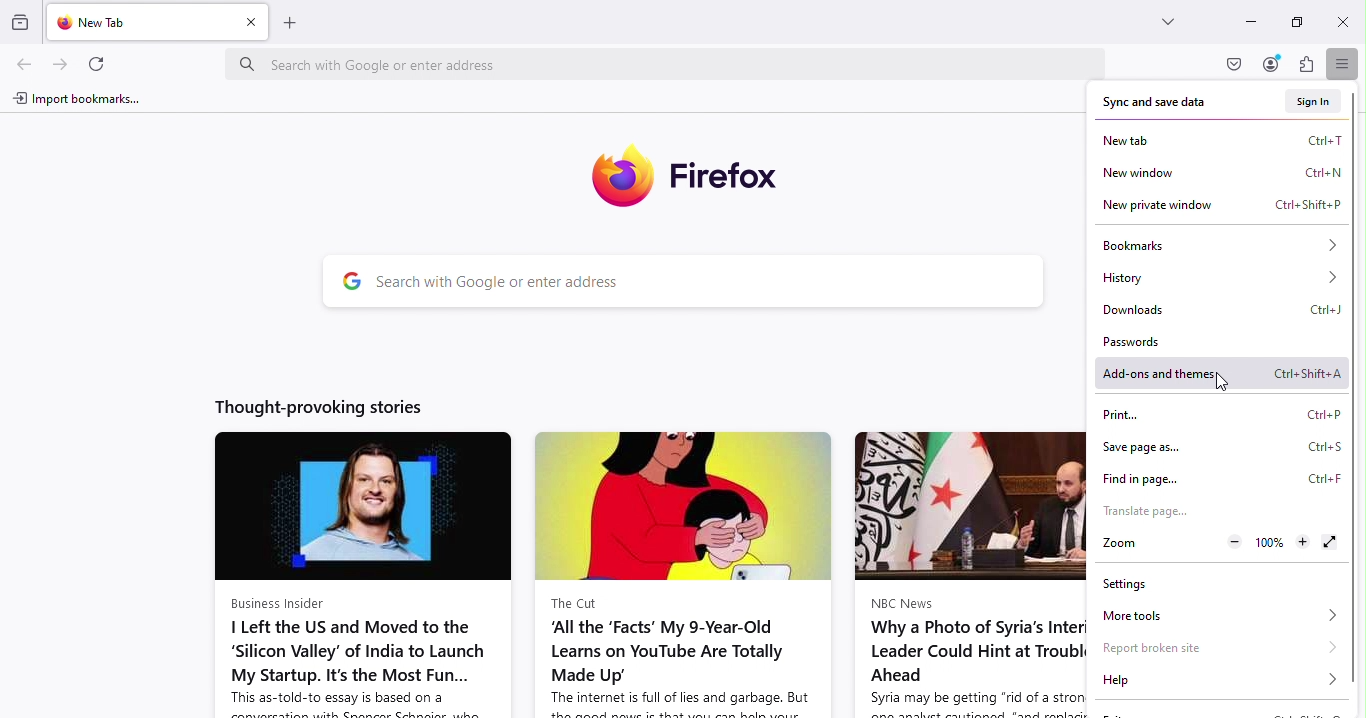  I want to click on New tab, so click(1218, 140).